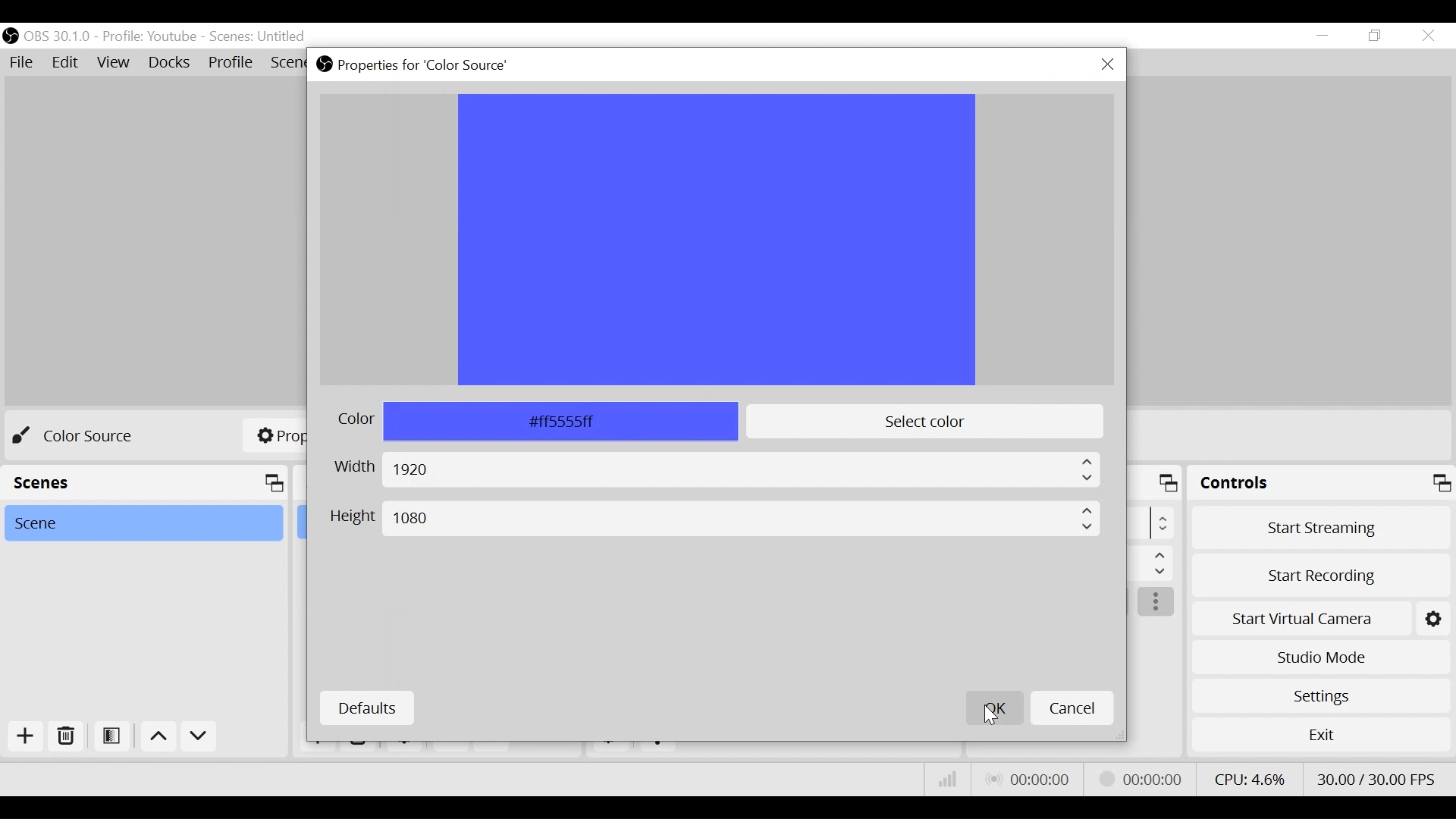  Describe the element at coordinates (65, 61) in the screenshot. I see `Edit` at that location.